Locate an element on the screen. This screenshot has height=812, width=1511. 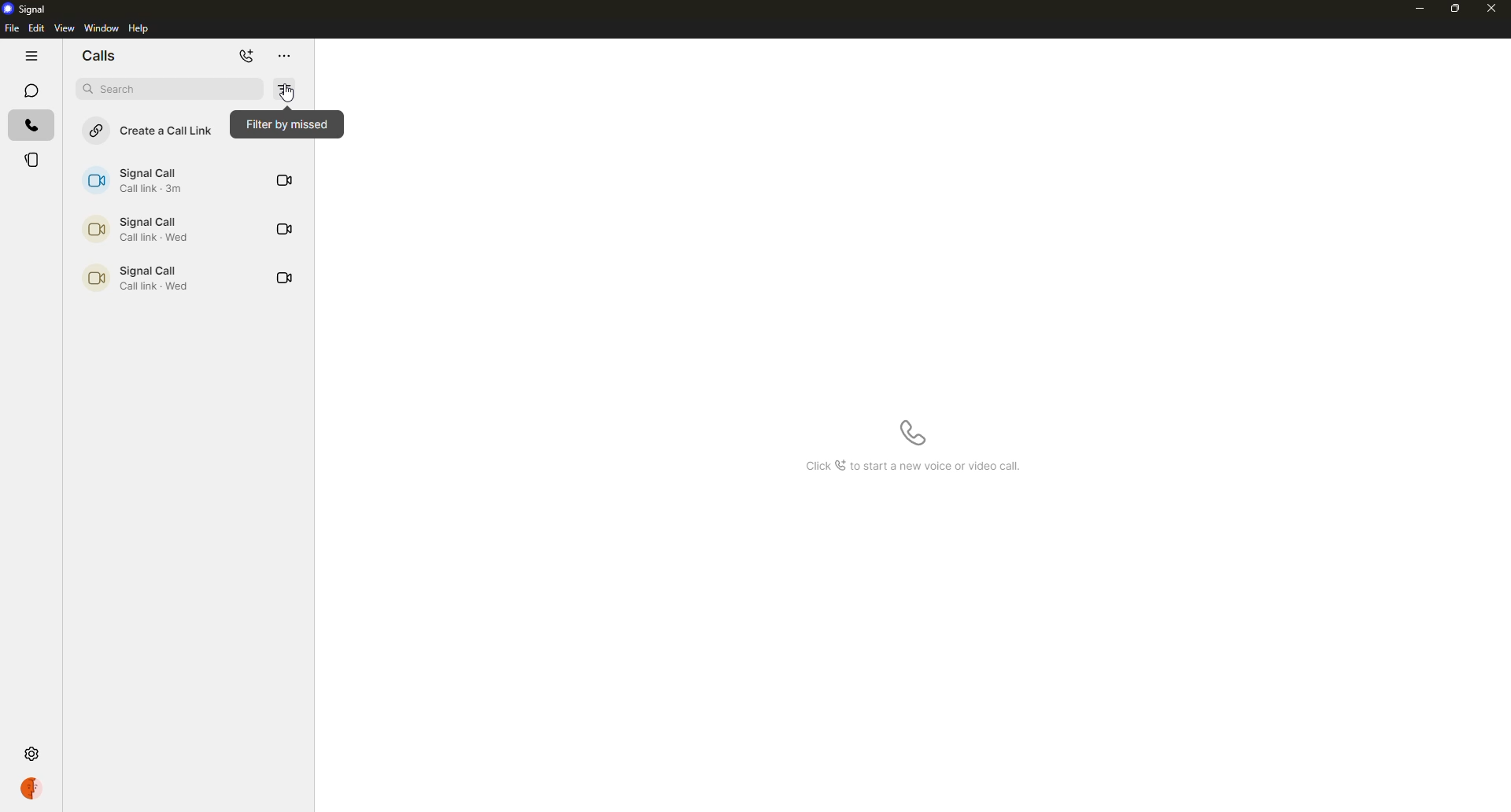
filter by missed is located at coordinates (286, 124).